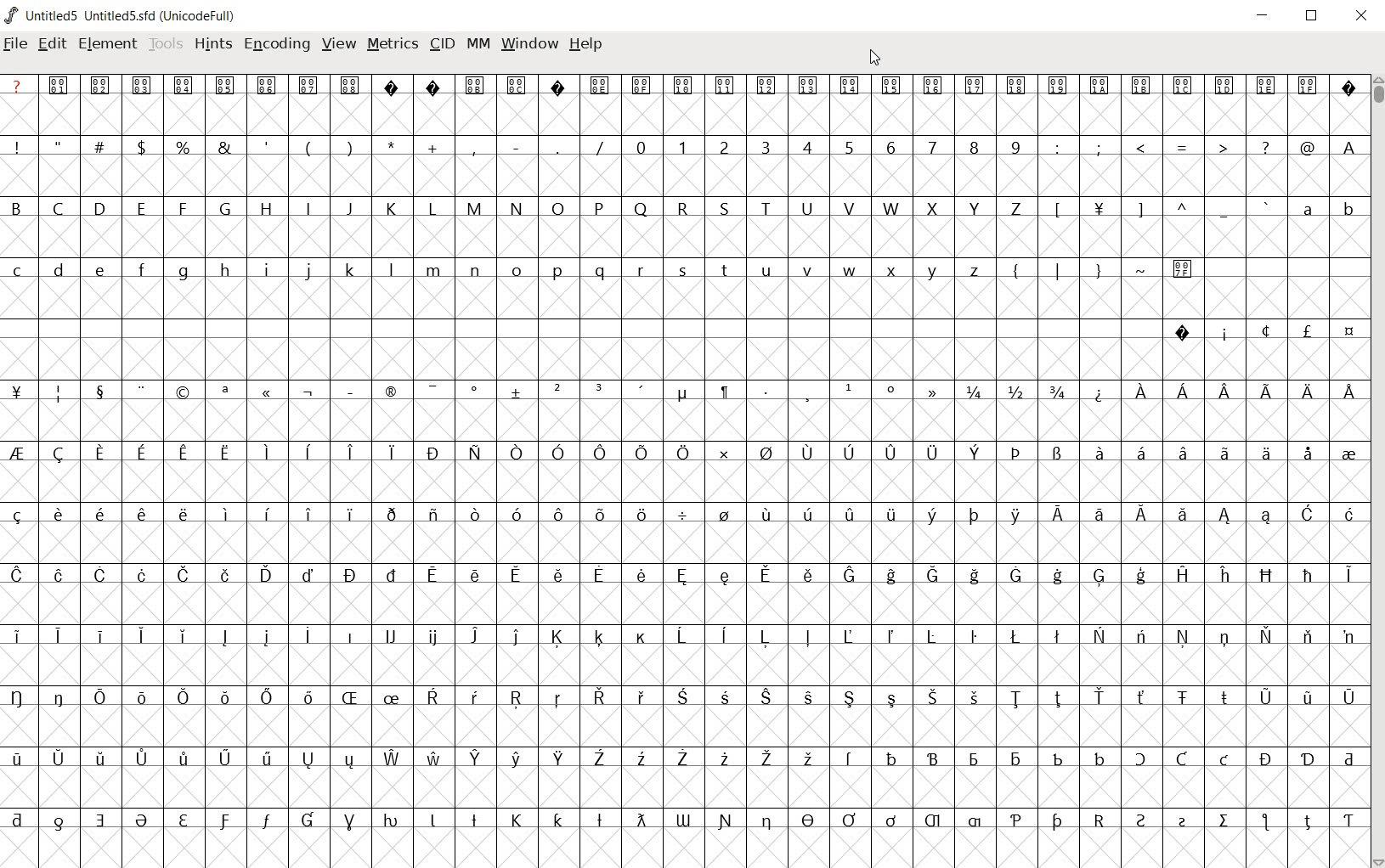  I want to click on file, so click(14, 45).